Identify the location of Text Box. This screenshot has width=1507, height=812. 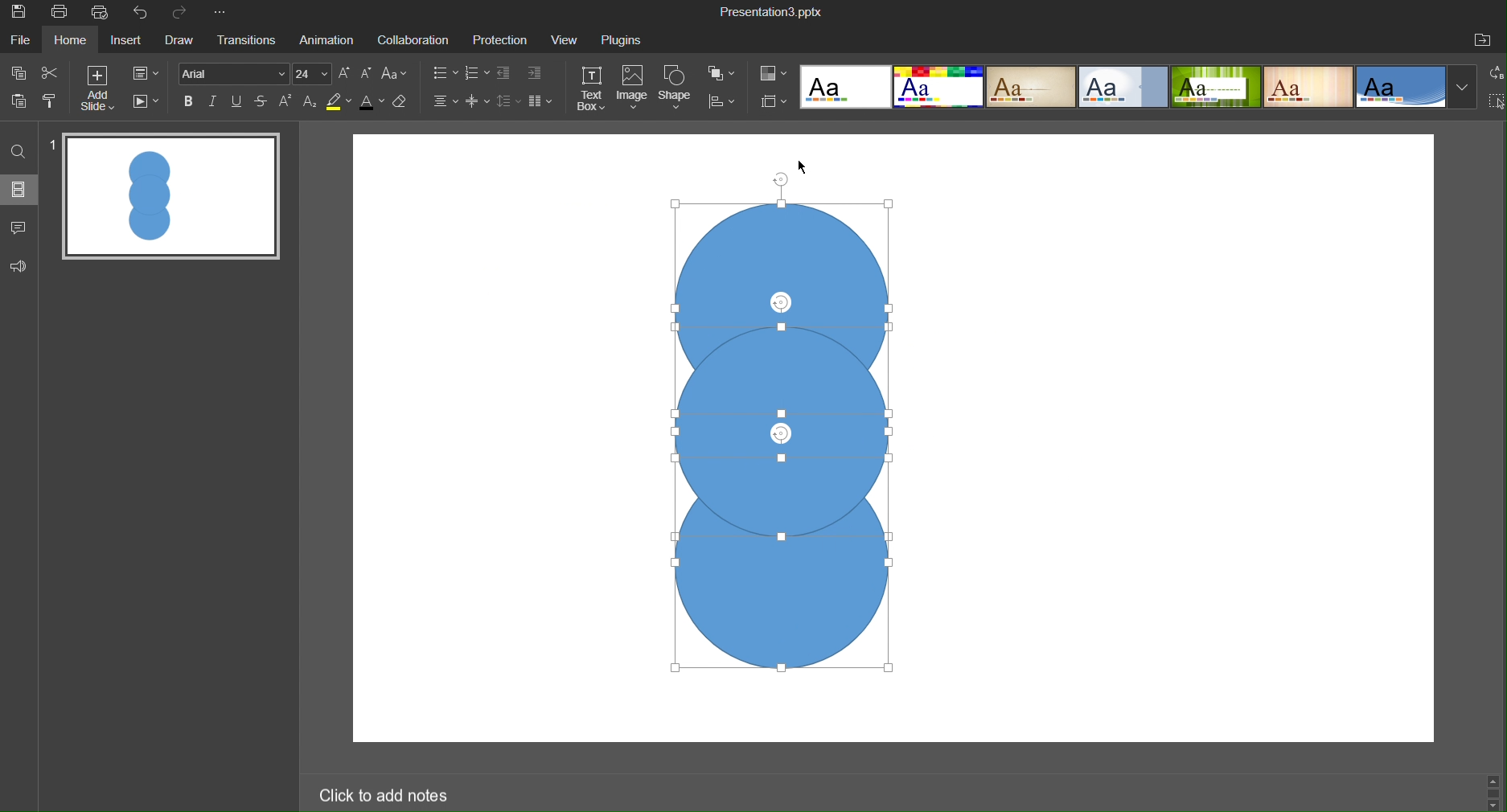
(593, 89).